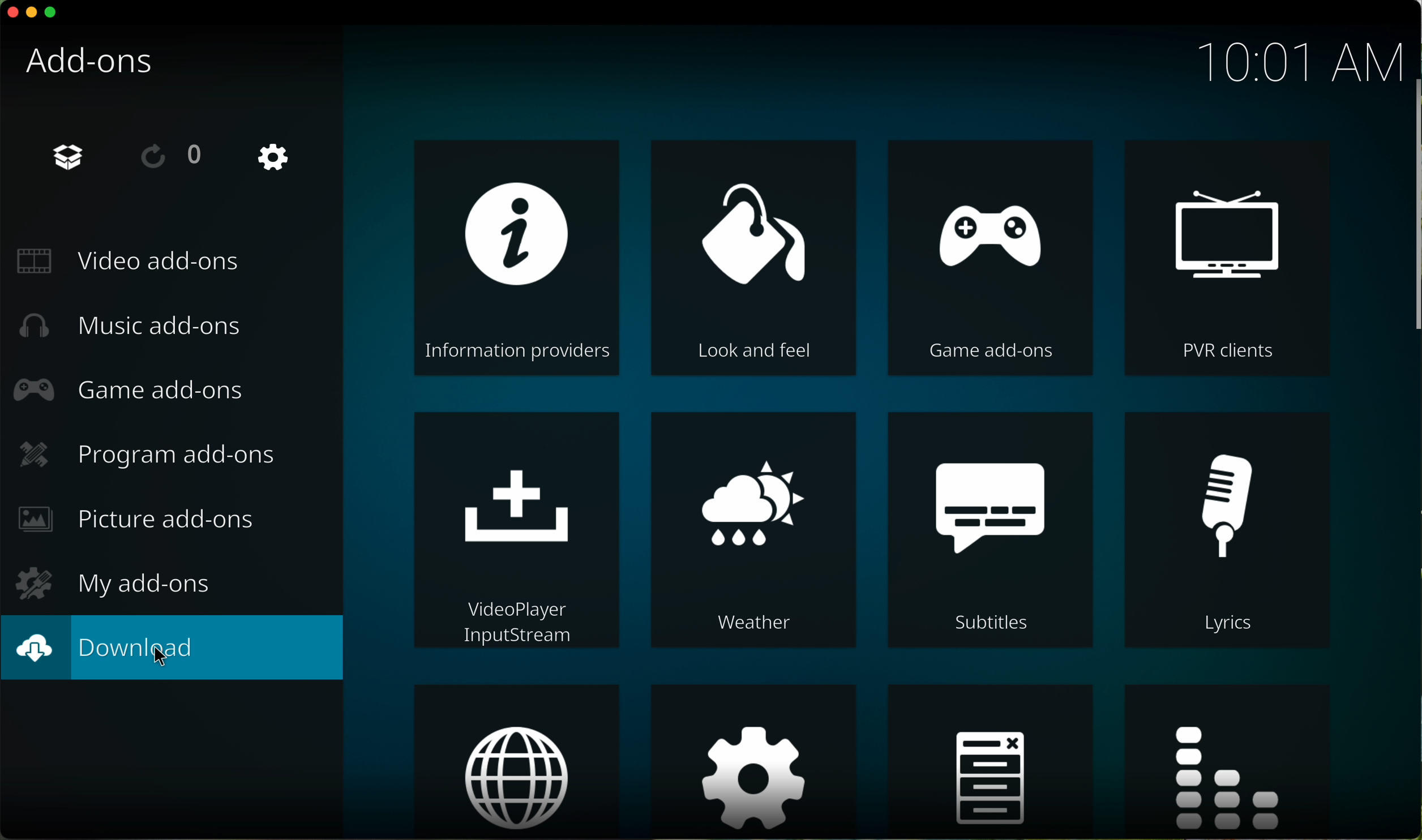 The image size is (1422, 840). Describe the element at coordinates (150, 454) in the screenshot. I see `program add-ons` at that location.